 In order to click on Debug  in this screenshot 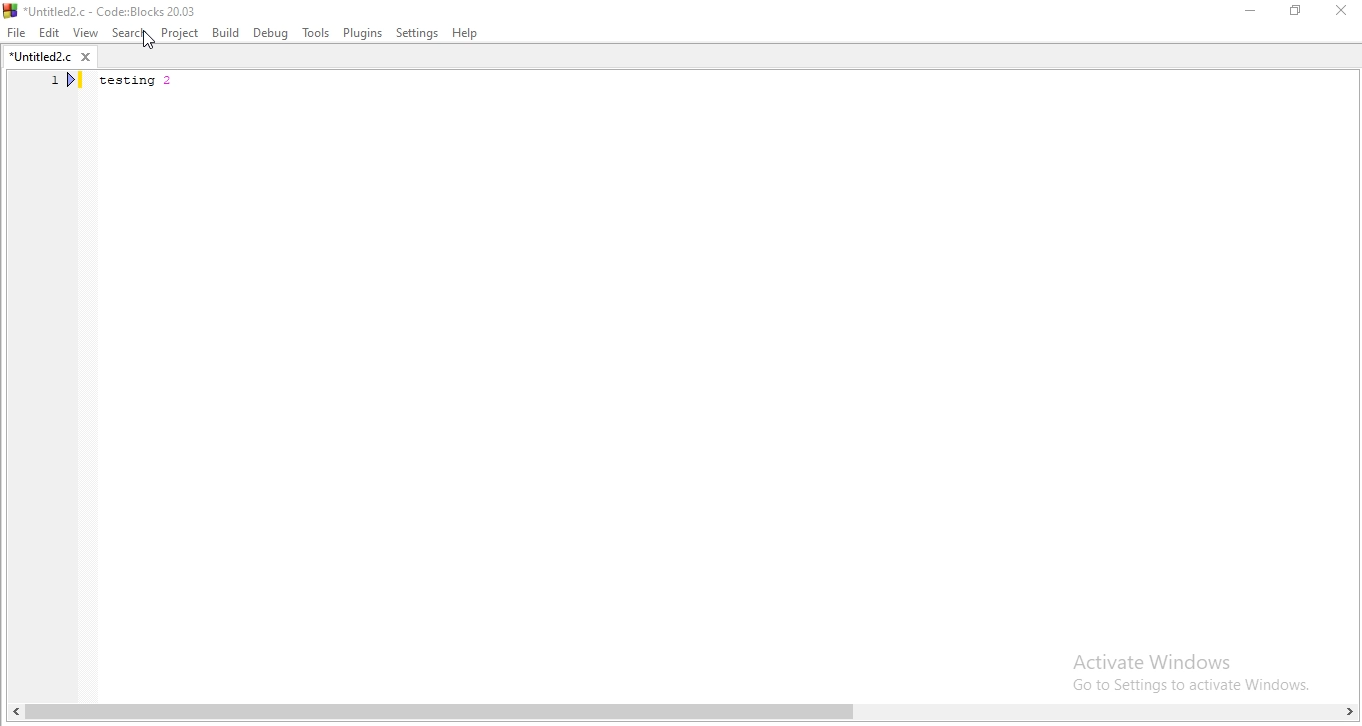, I will do `click(271, 31)`.